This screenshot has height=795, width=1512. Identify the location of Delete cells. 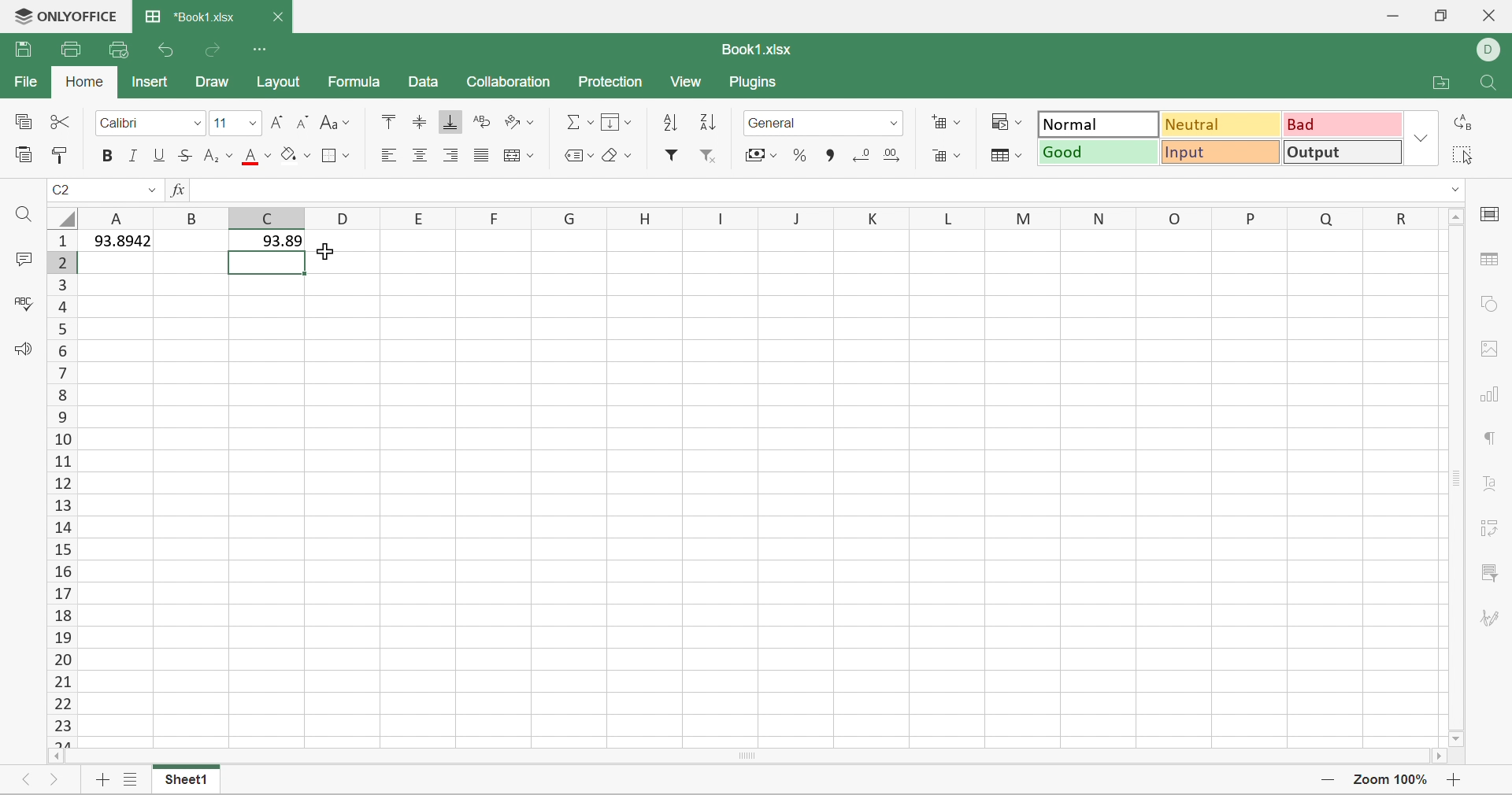
(946, 153).